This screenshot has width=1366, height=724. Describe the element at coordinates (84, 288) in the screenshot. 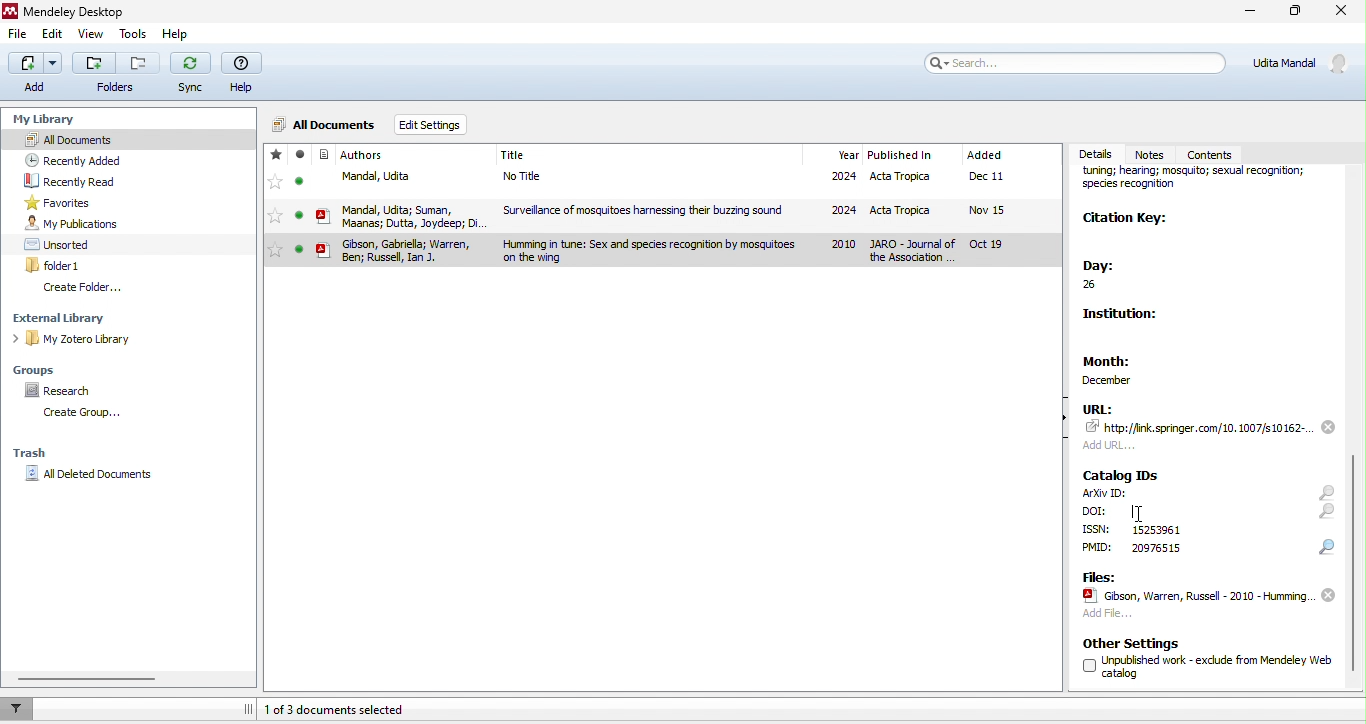

I see `create folder` at that location.